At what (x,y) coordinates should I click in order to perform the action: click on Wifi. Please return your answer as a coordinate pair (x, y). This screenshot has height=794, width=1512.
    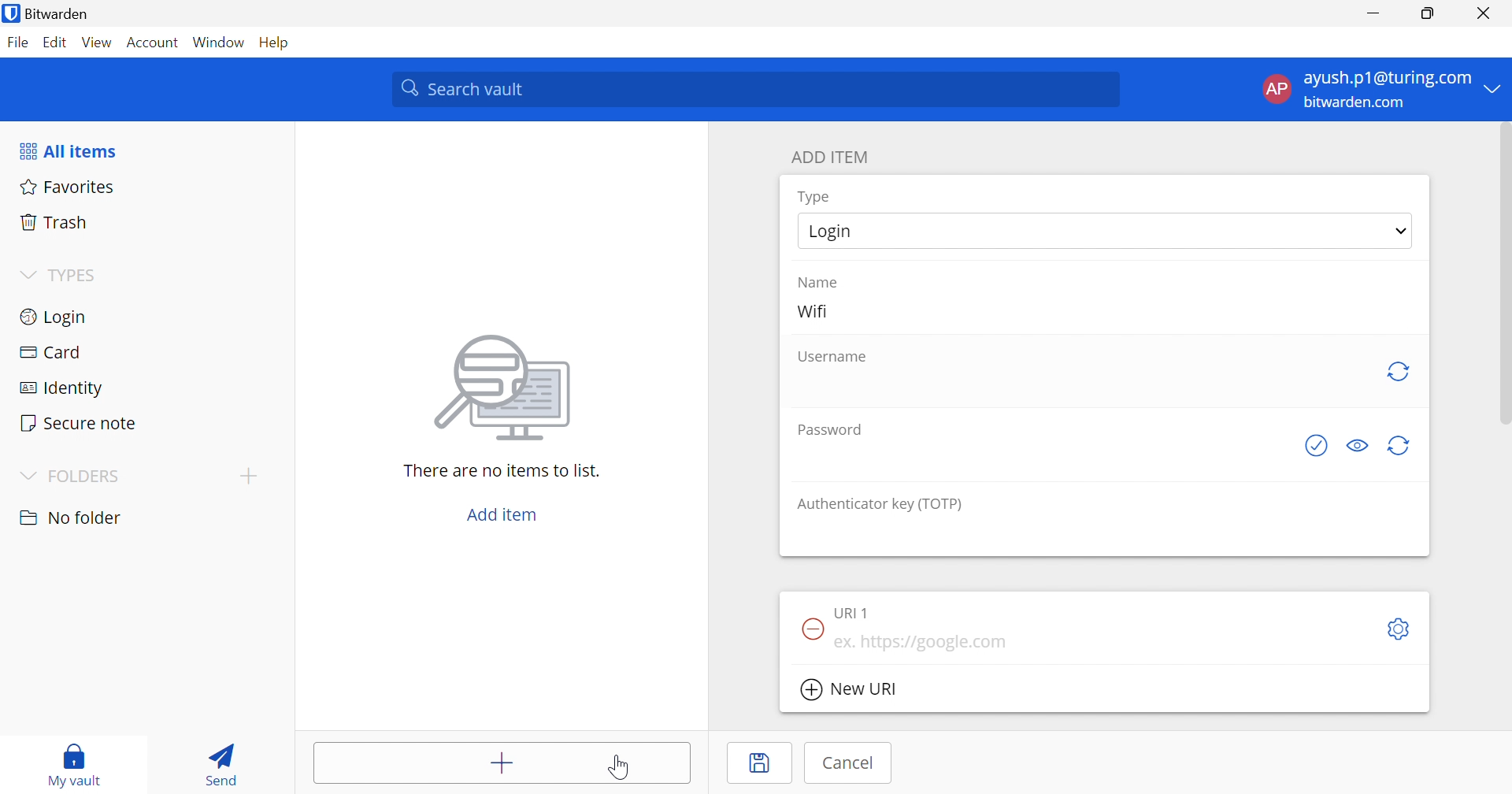
    Looking at the image, I should click on (811, 310).